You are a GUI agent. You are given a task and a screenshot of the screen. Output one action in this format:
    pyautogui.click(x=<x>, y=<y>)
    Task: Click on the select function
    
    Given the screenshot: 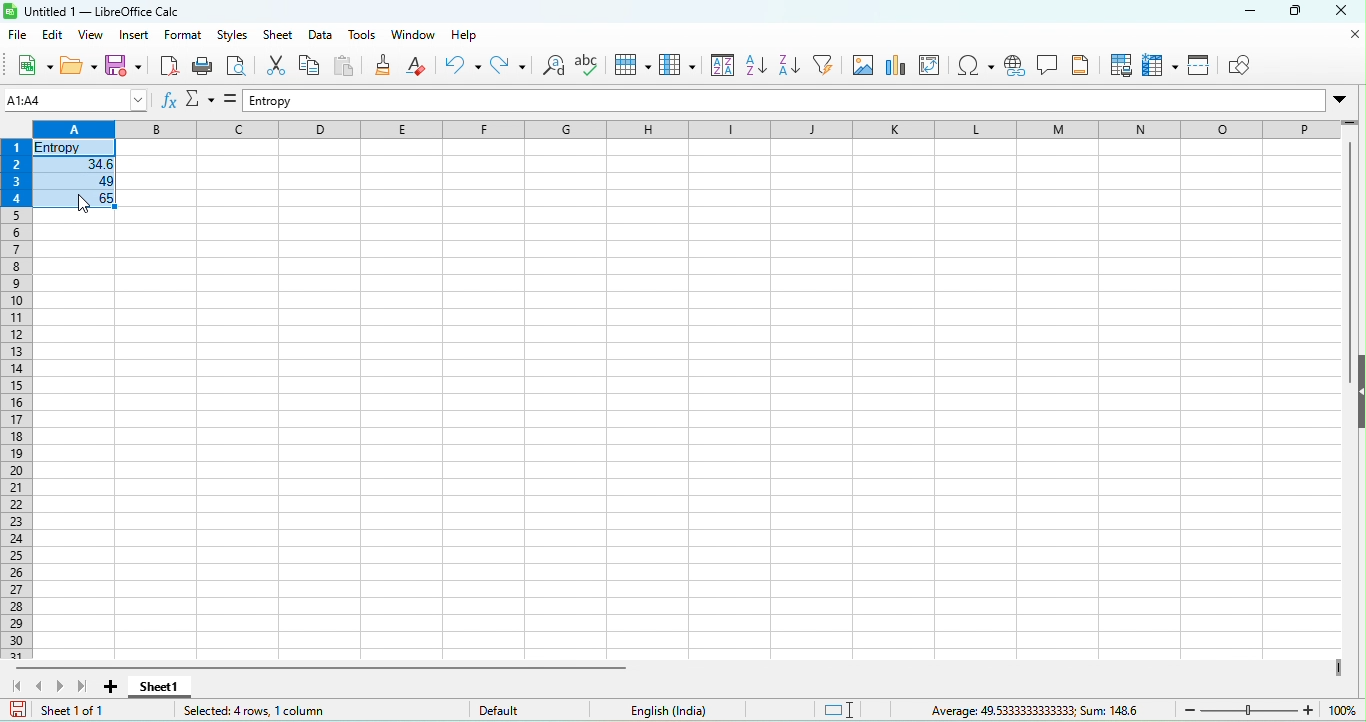 What is the action you would take?
    pyautogui.click(x=203, y=102)
    